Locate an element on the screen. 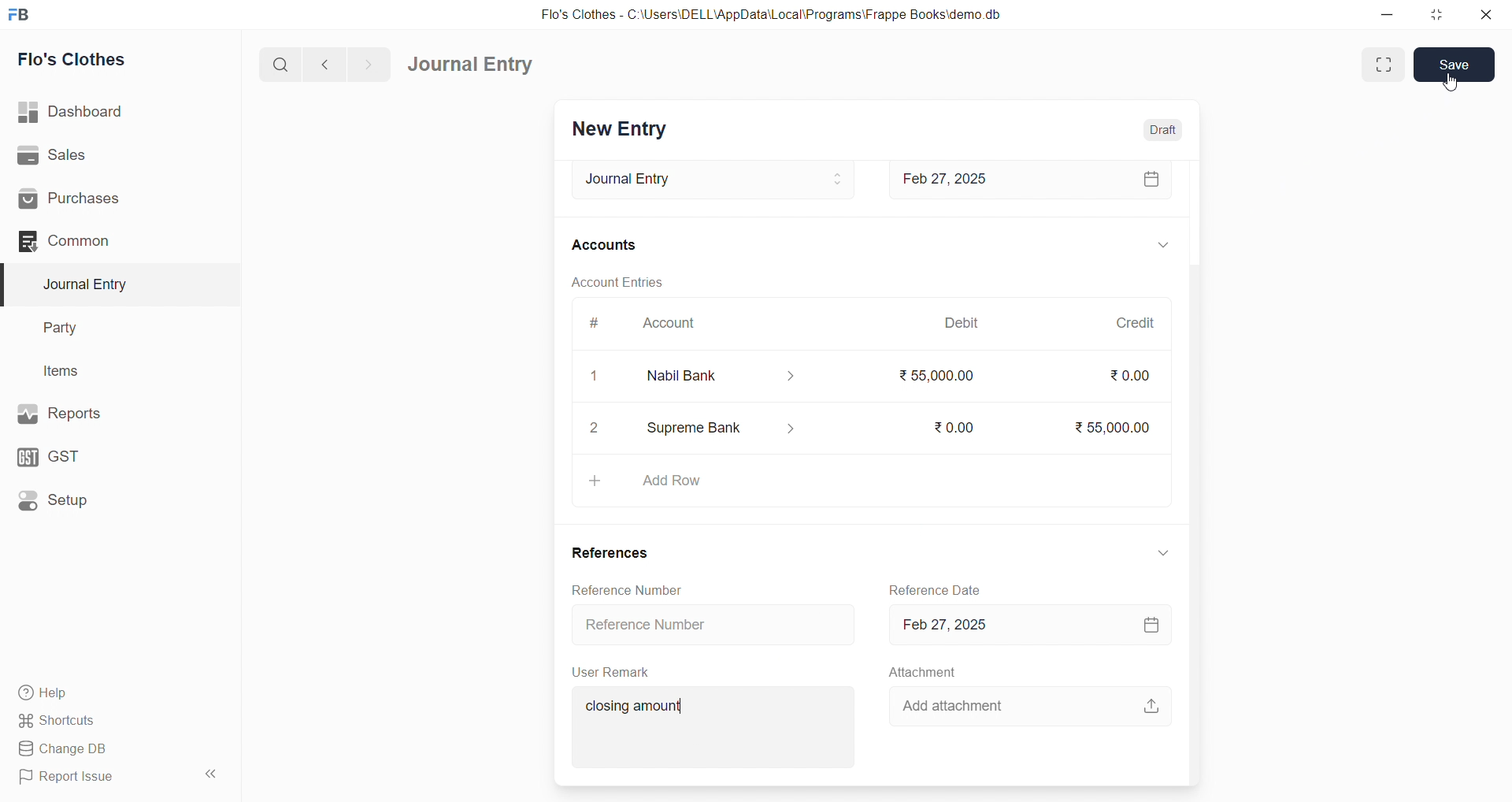 The width and height of the screenshot is (1512, 802). ₹55,000.00 is located at coordinates (1105, 425).